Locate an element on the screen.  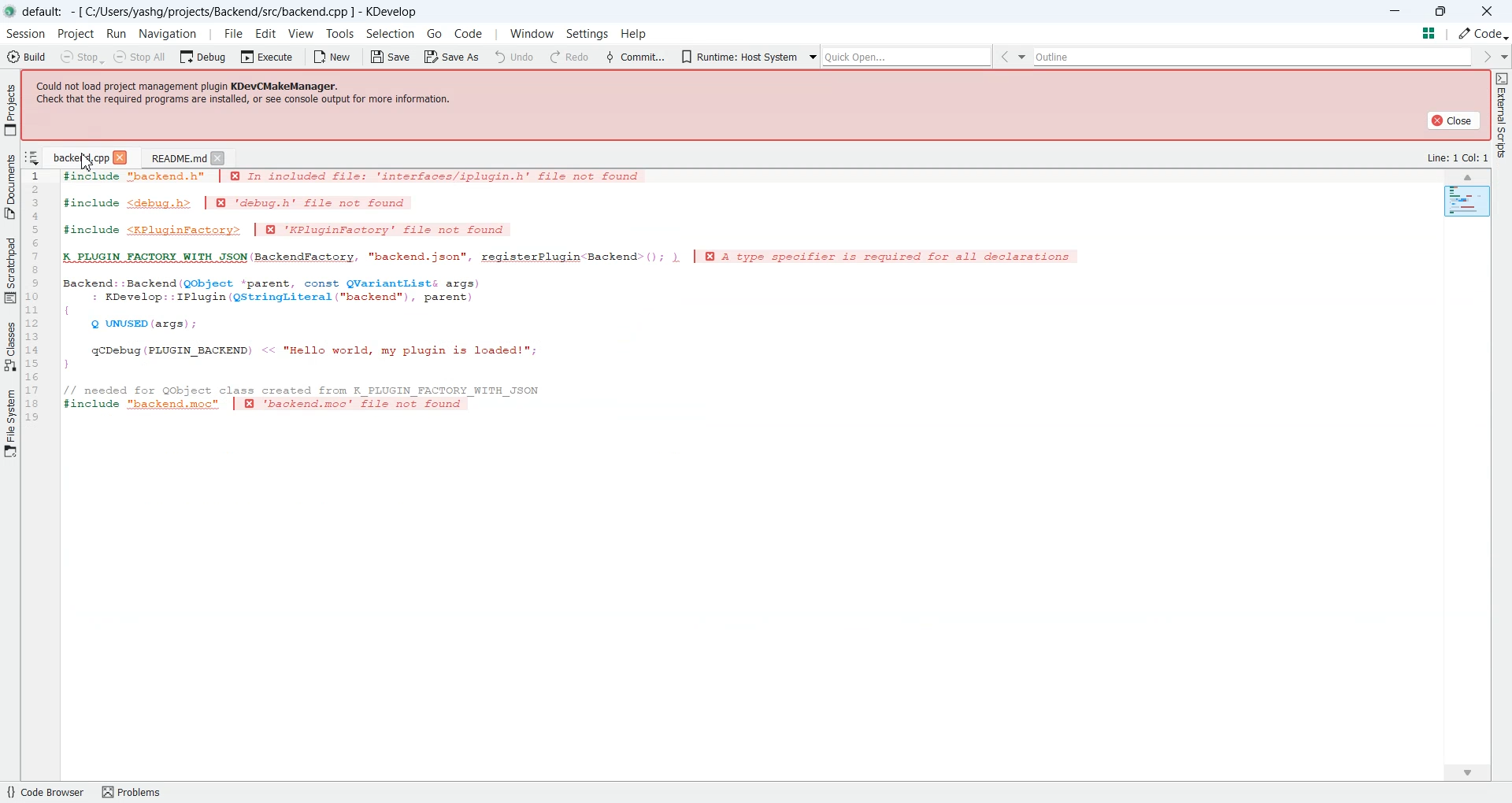
Outline is located at coordinates (1039, 57).